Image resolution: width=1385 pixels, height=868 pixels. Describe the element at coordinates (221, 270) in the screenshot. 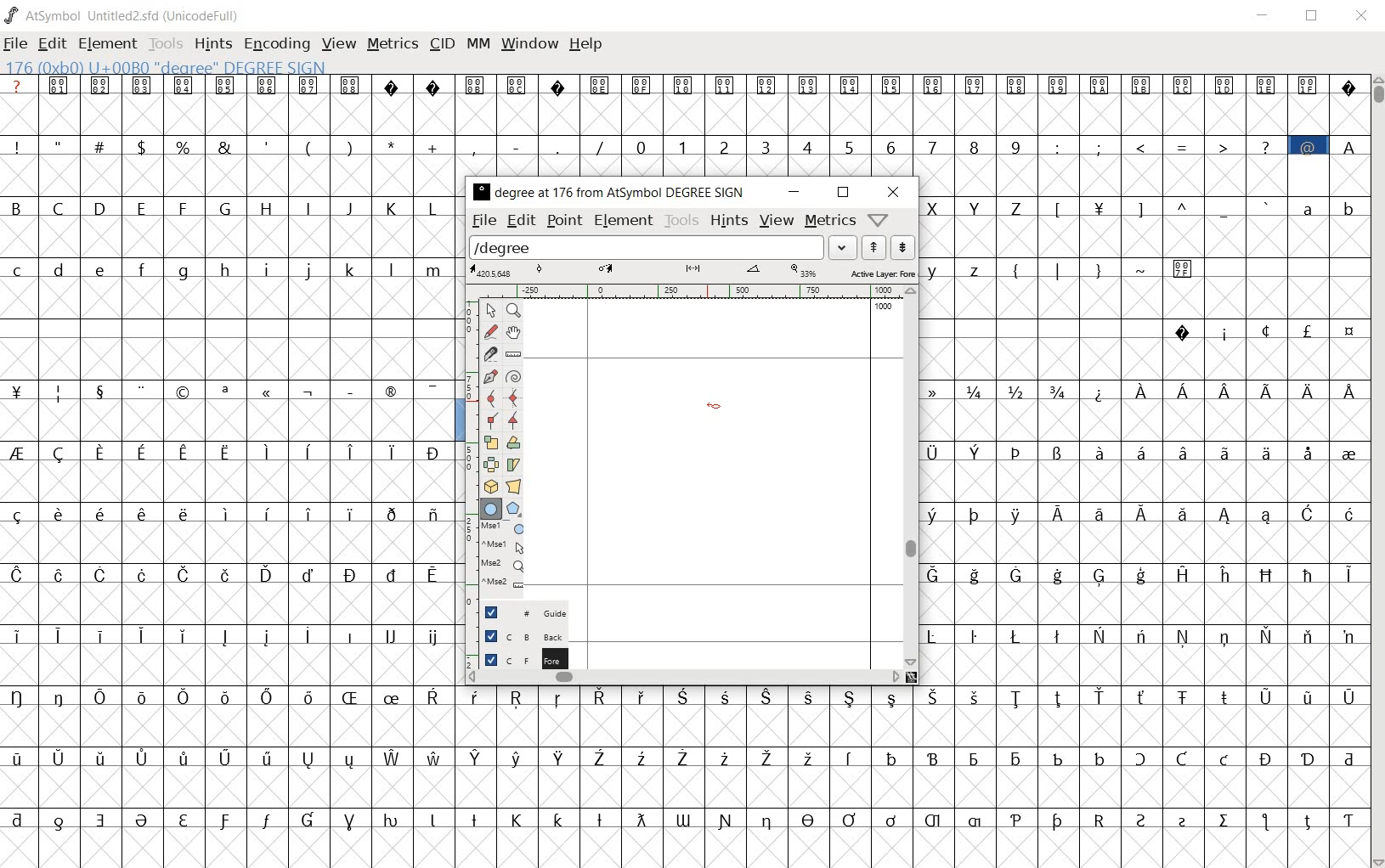

I see `small letters c - m` at that location.